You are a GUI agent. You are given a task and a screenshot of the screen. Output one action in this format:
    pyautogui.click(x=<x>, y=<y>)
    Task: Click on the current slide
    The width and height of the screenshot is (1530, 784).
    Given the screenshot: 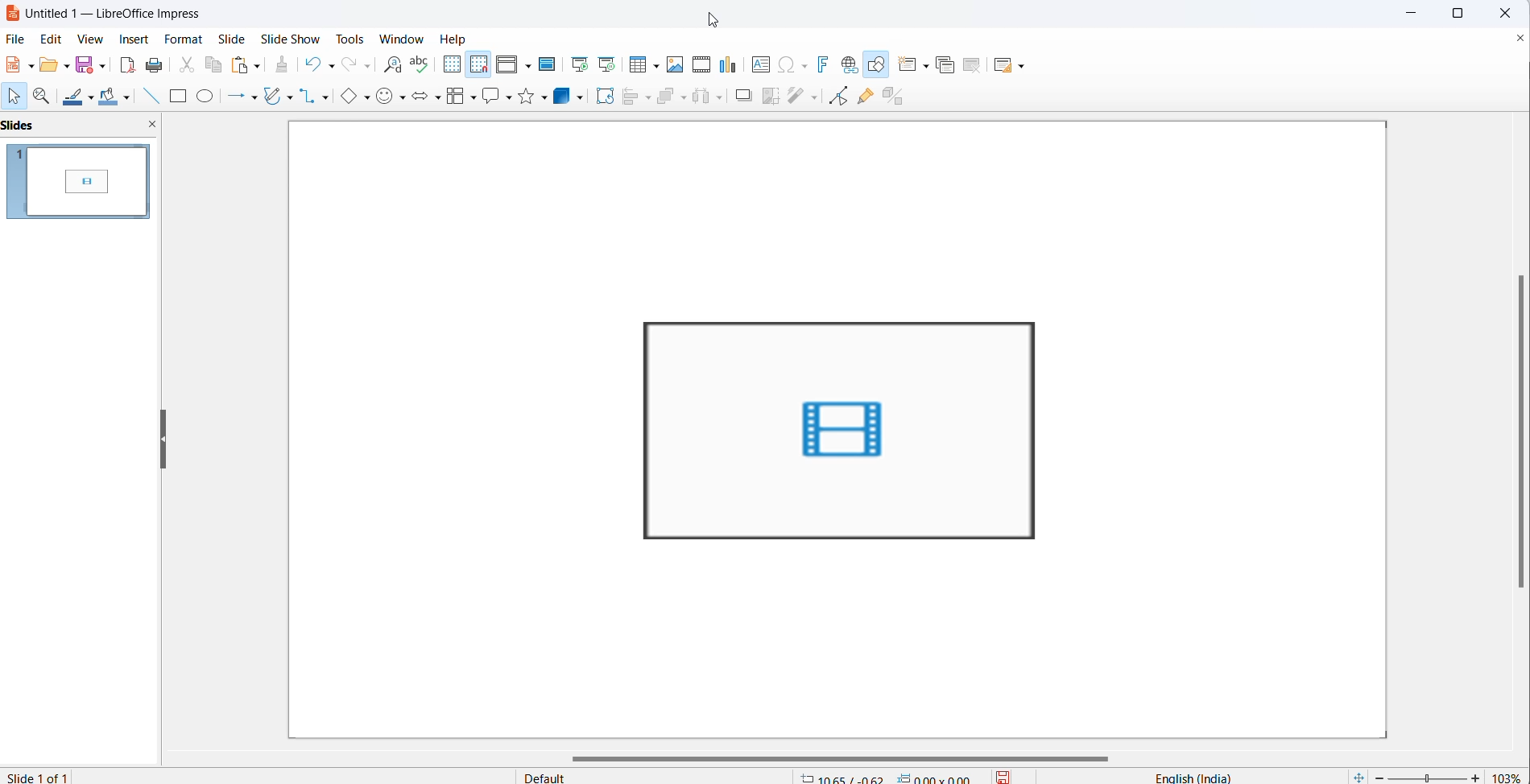 What is the action you would take?
    pyautogui.click(x=47, y=776)
    